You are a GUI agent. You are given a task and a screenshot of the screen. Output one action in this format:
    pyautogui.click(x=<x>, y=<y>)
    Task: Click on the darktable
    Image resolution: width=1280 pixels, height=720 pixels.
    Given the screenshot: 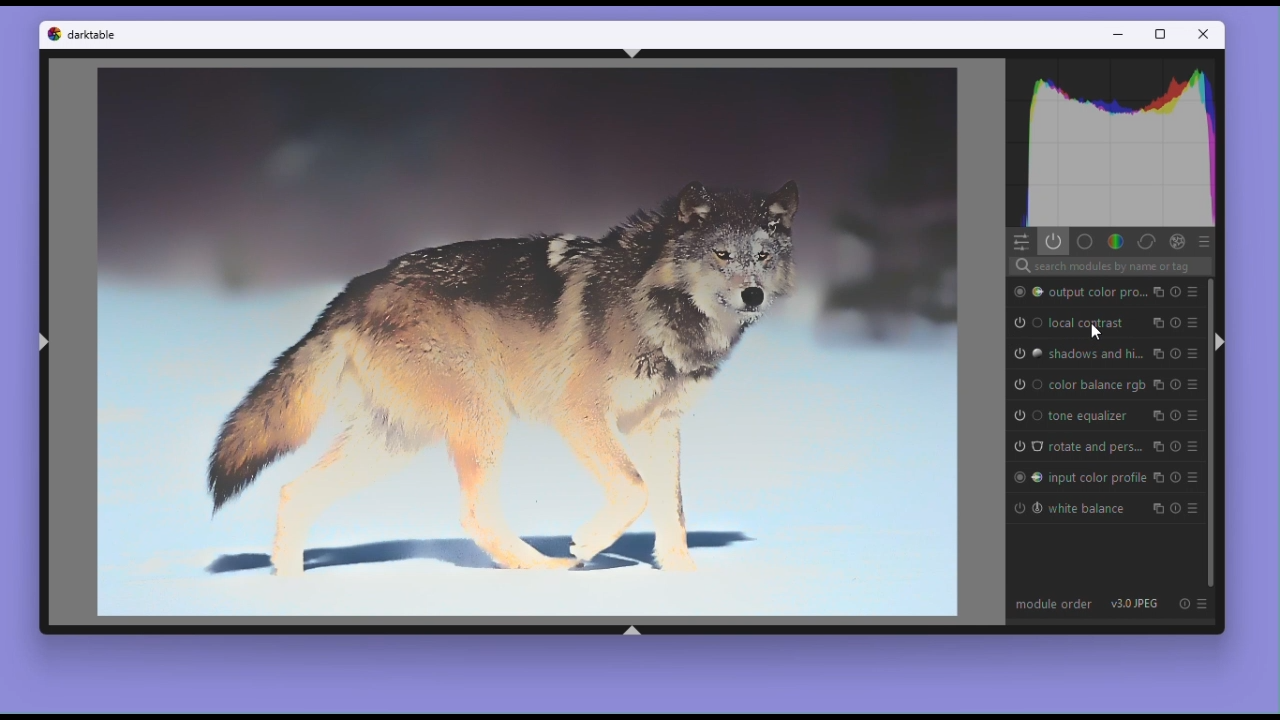 What is the action you would take?
    pyautogui.click(x=95, y=37)
    